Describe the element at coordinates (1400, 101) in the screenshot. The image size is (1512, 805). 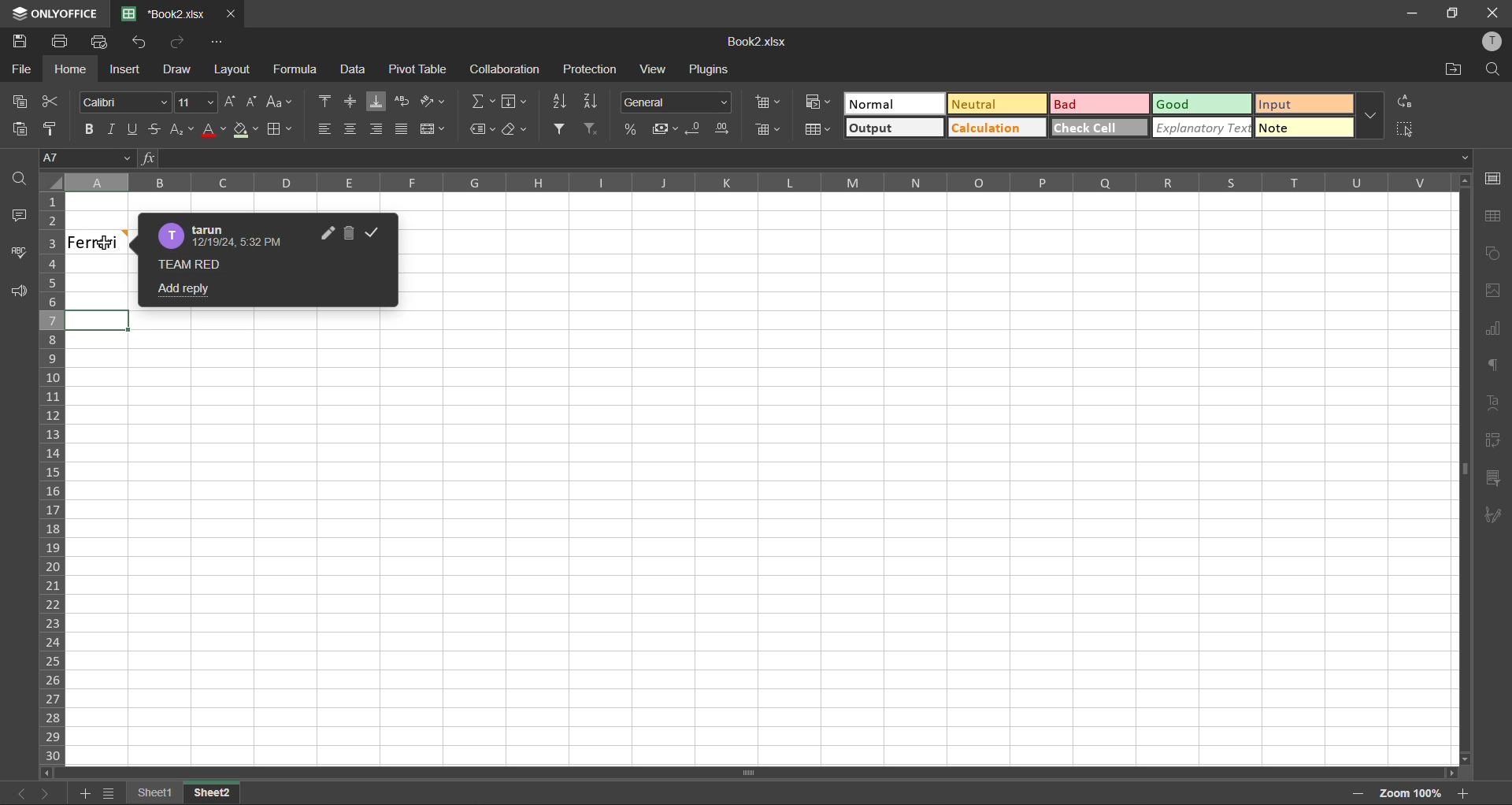
I see `replace` at that location.